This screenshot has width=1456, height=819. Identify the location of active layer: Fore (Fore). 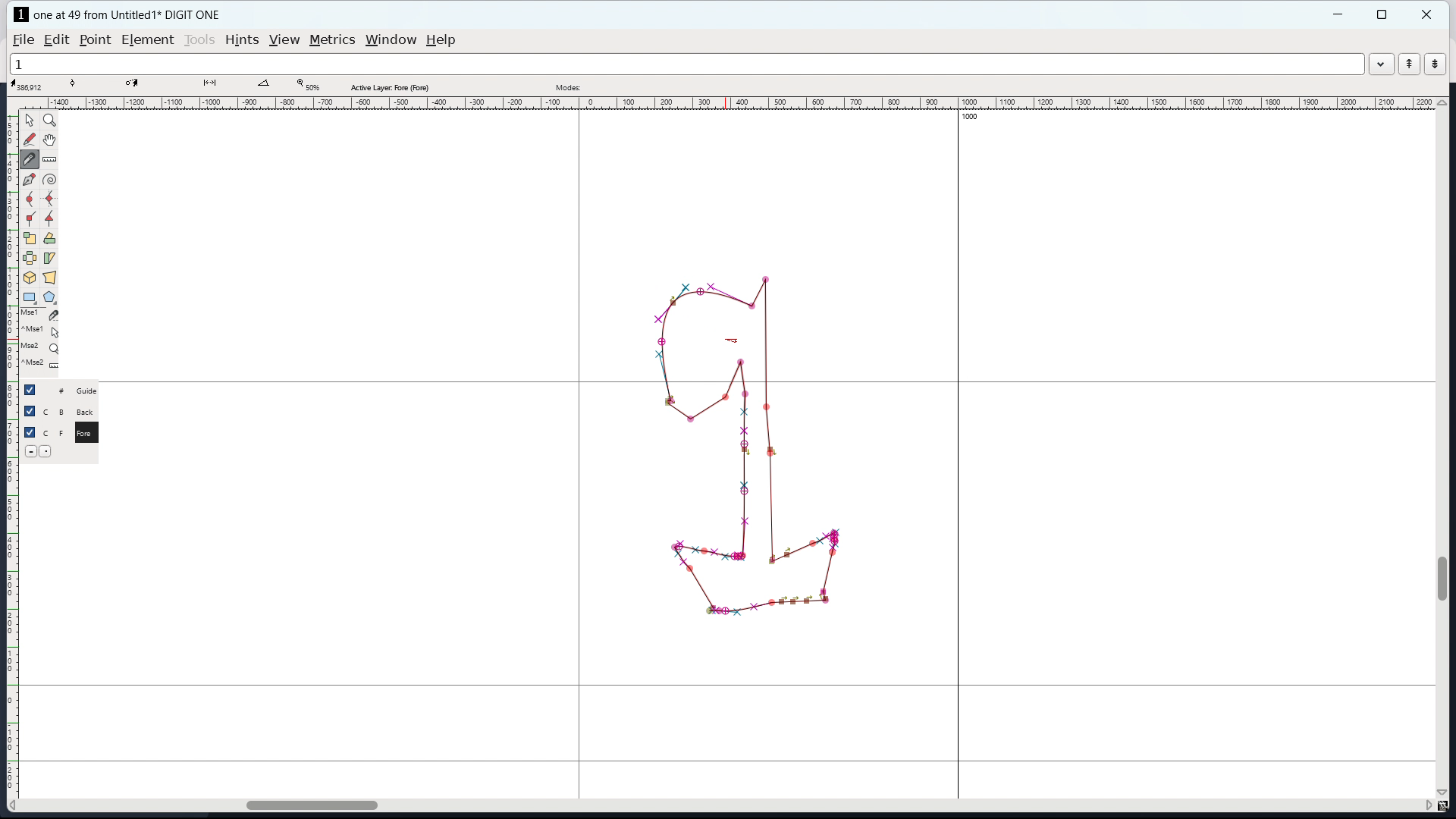
(680, 85).